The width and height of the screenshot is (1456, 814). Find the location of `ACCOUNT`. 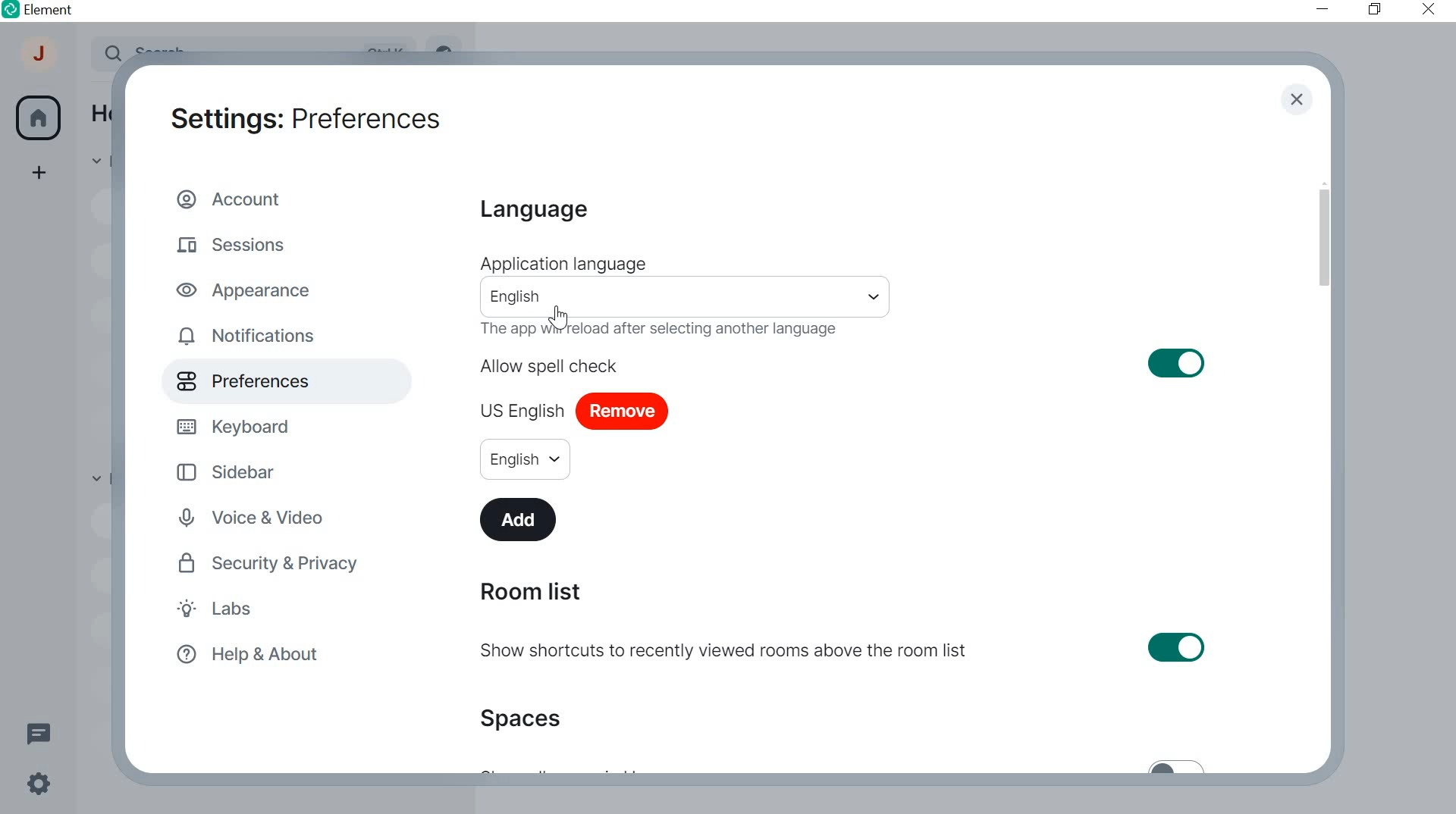

ACCOUNT is located at coordinates (40, 58).